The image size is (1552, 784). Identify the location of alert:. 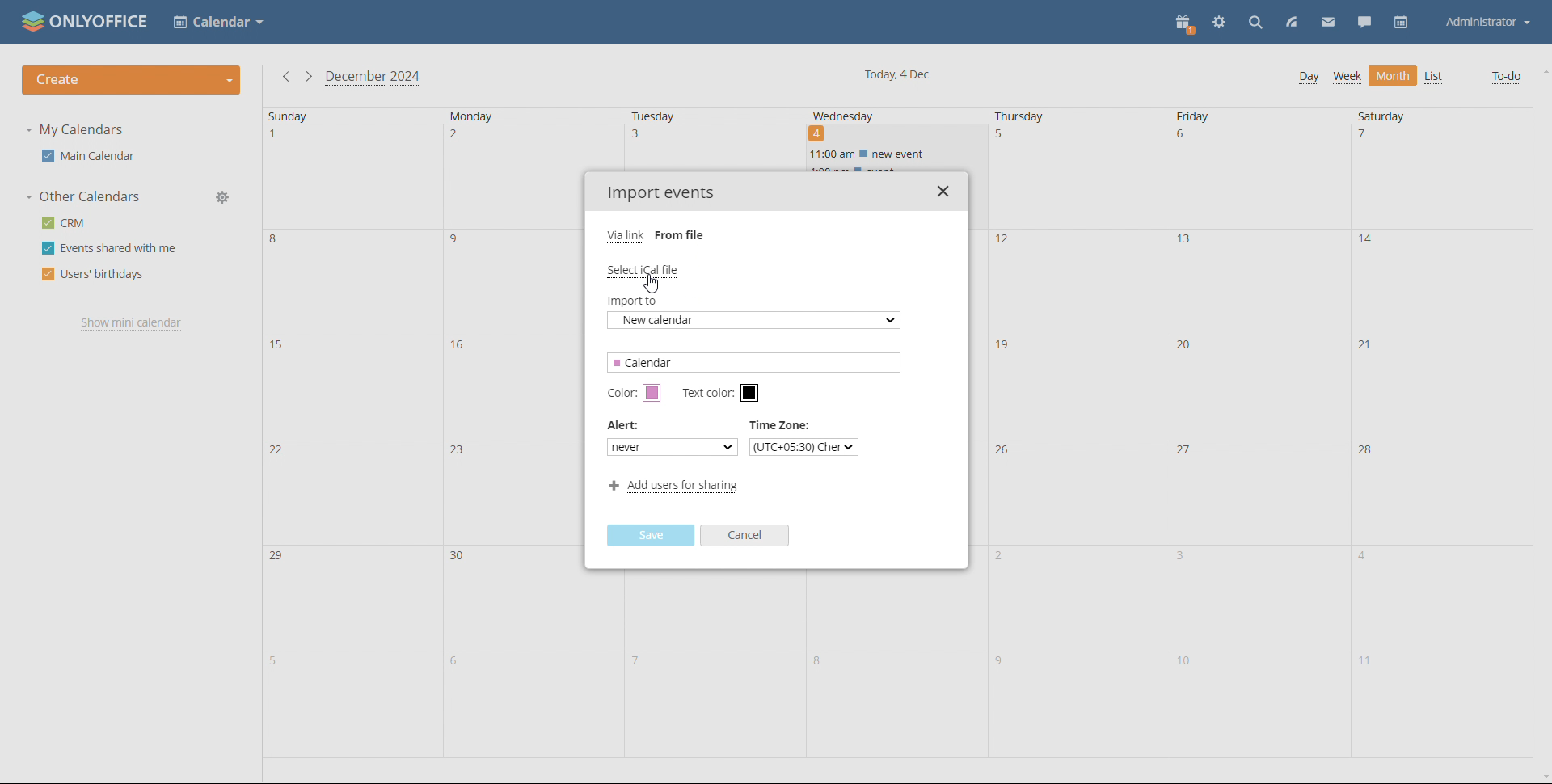
(626, 424).